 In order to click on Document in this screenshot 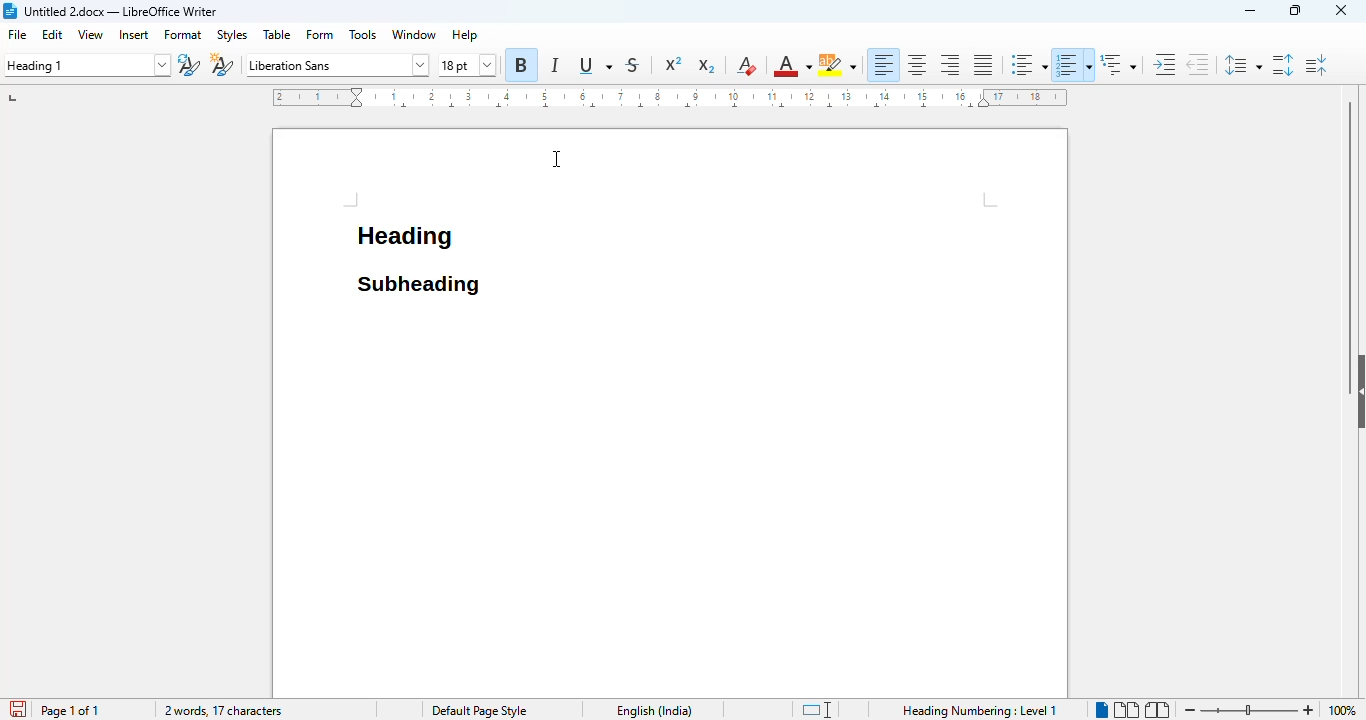, I will do `click(778, 216)`.